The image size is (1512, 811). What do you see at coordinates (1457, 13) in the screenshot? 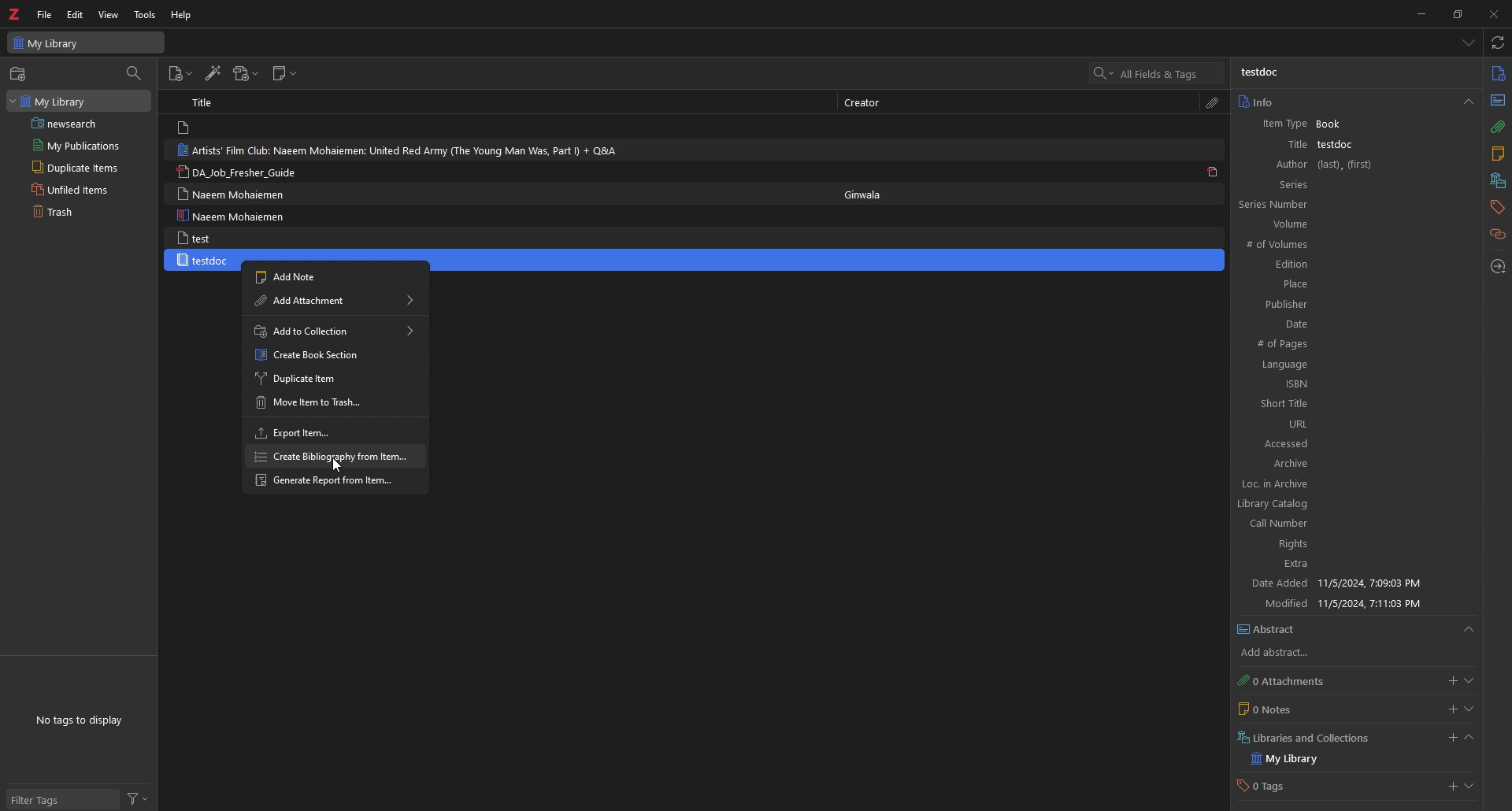
I see `resize` at bounding box center [1457, 13].